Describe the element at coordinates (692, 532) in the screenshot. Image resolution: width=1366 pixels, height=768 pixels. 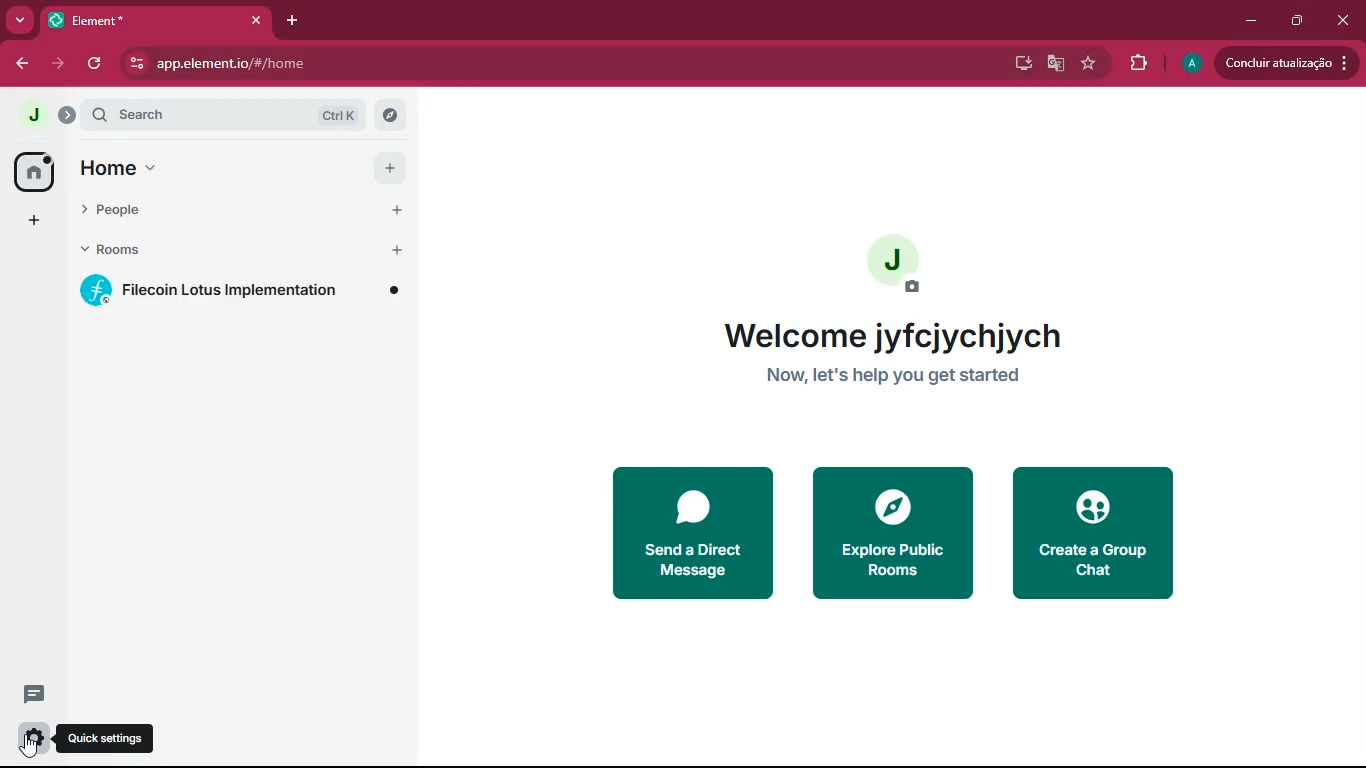
I see `send a direct message` at that location.